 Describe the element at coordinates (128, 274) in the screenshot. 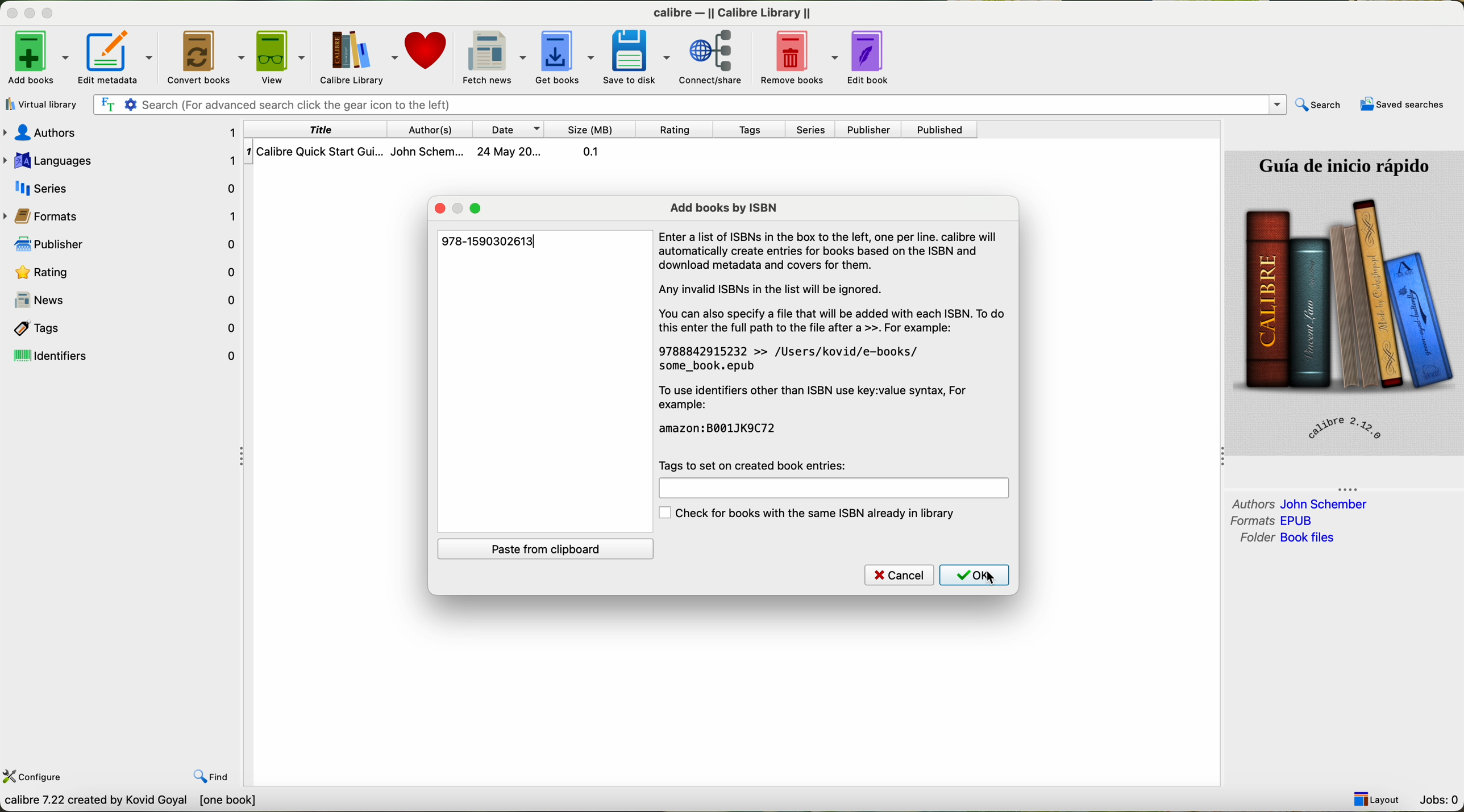

I see `Rating` at that location.